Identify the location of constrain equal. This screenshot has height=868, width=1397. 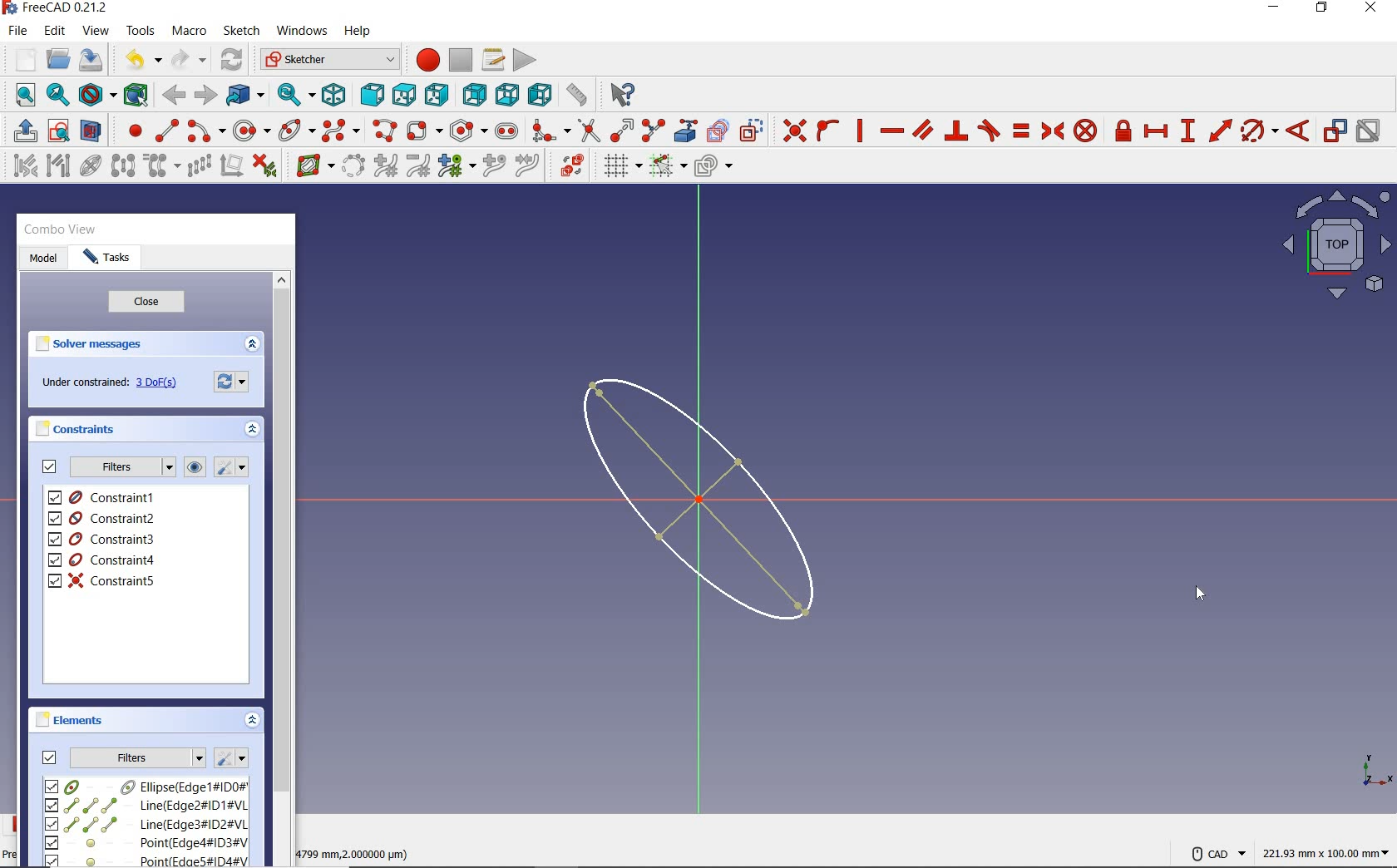
(1022, 131).